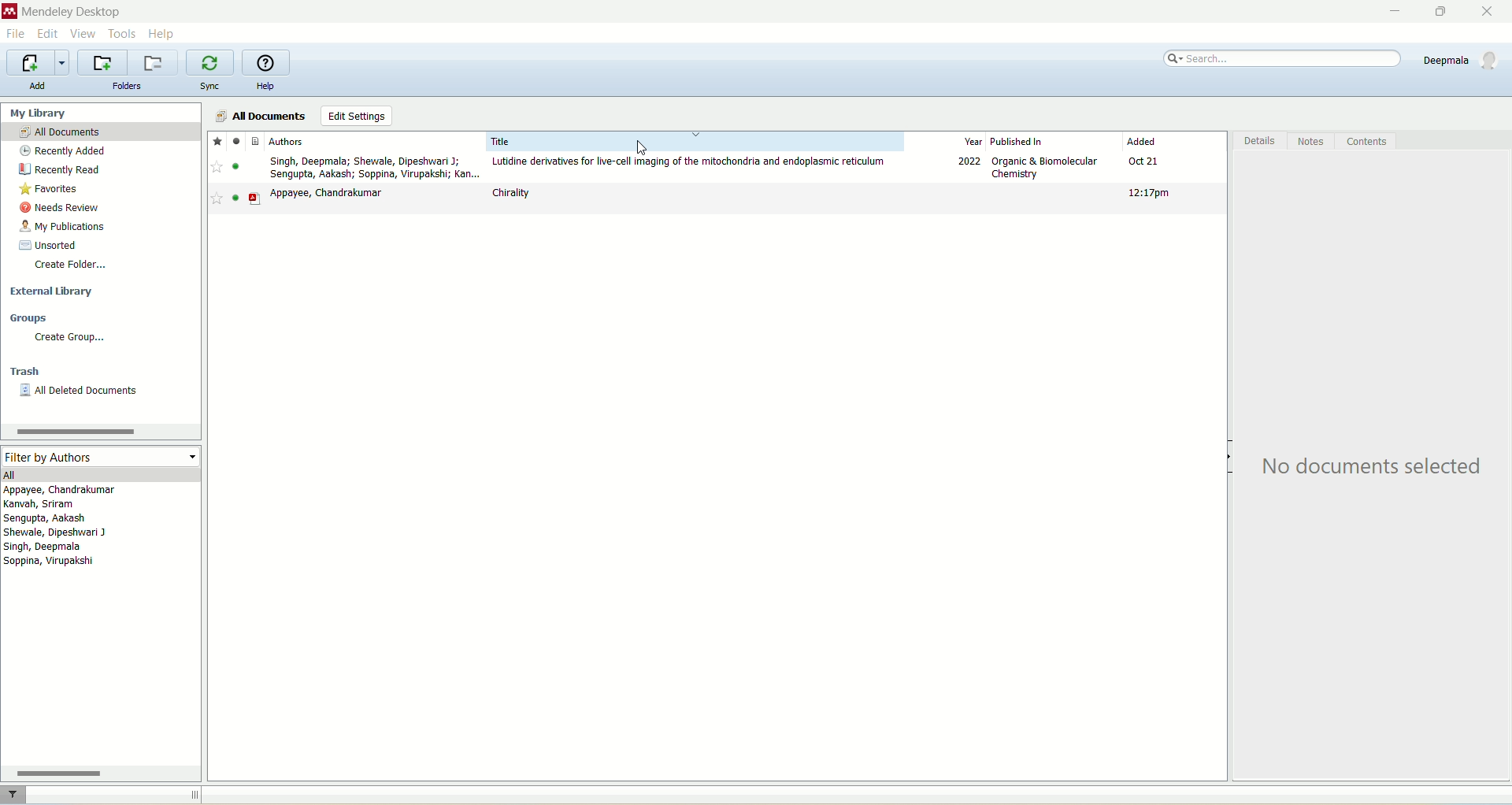 The height and width of the screenshot is (805, 1512). I want to click on help, so click(161, 33).